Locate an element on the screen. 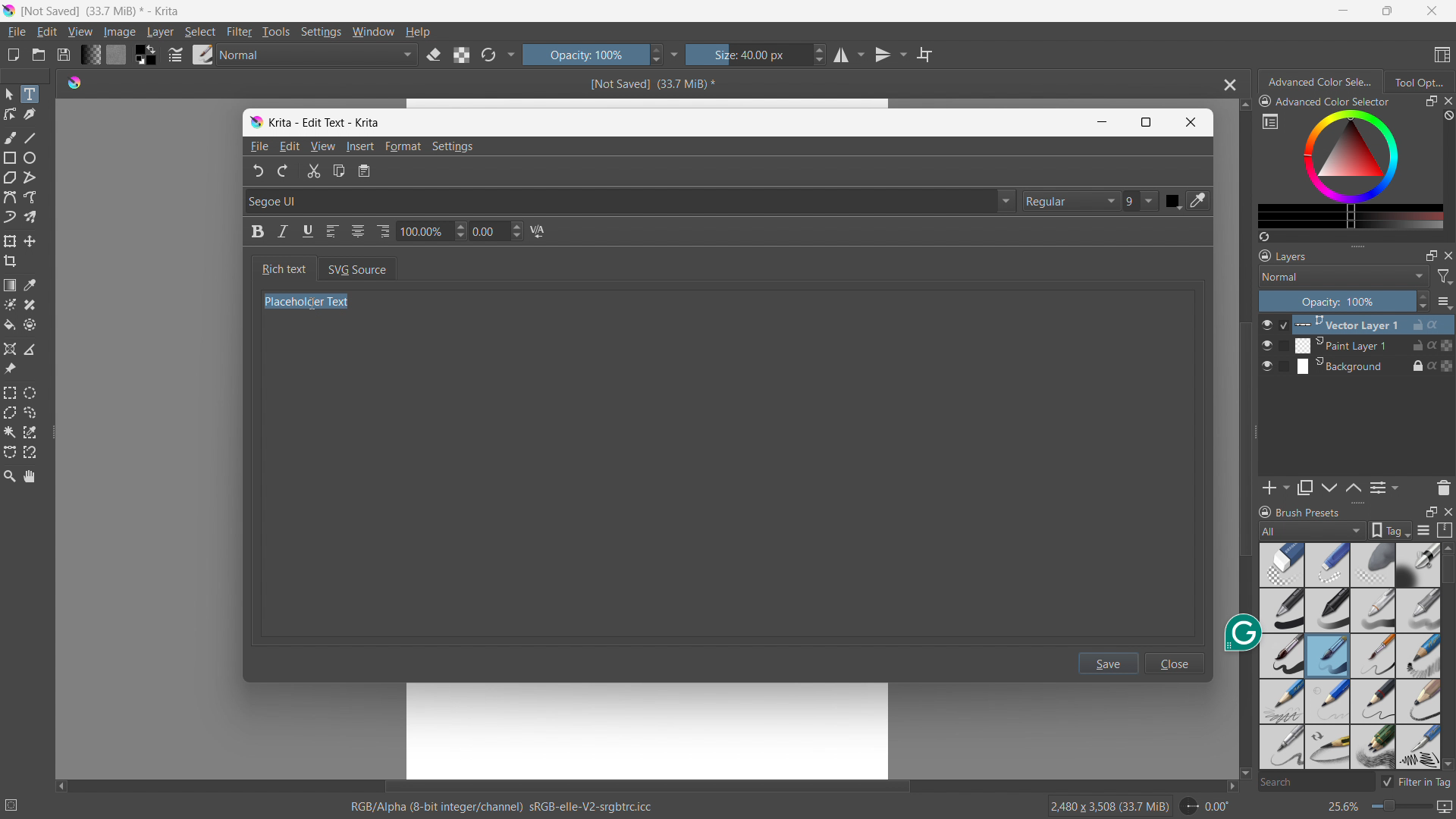  add layer is located at coordinates (1276, 488).